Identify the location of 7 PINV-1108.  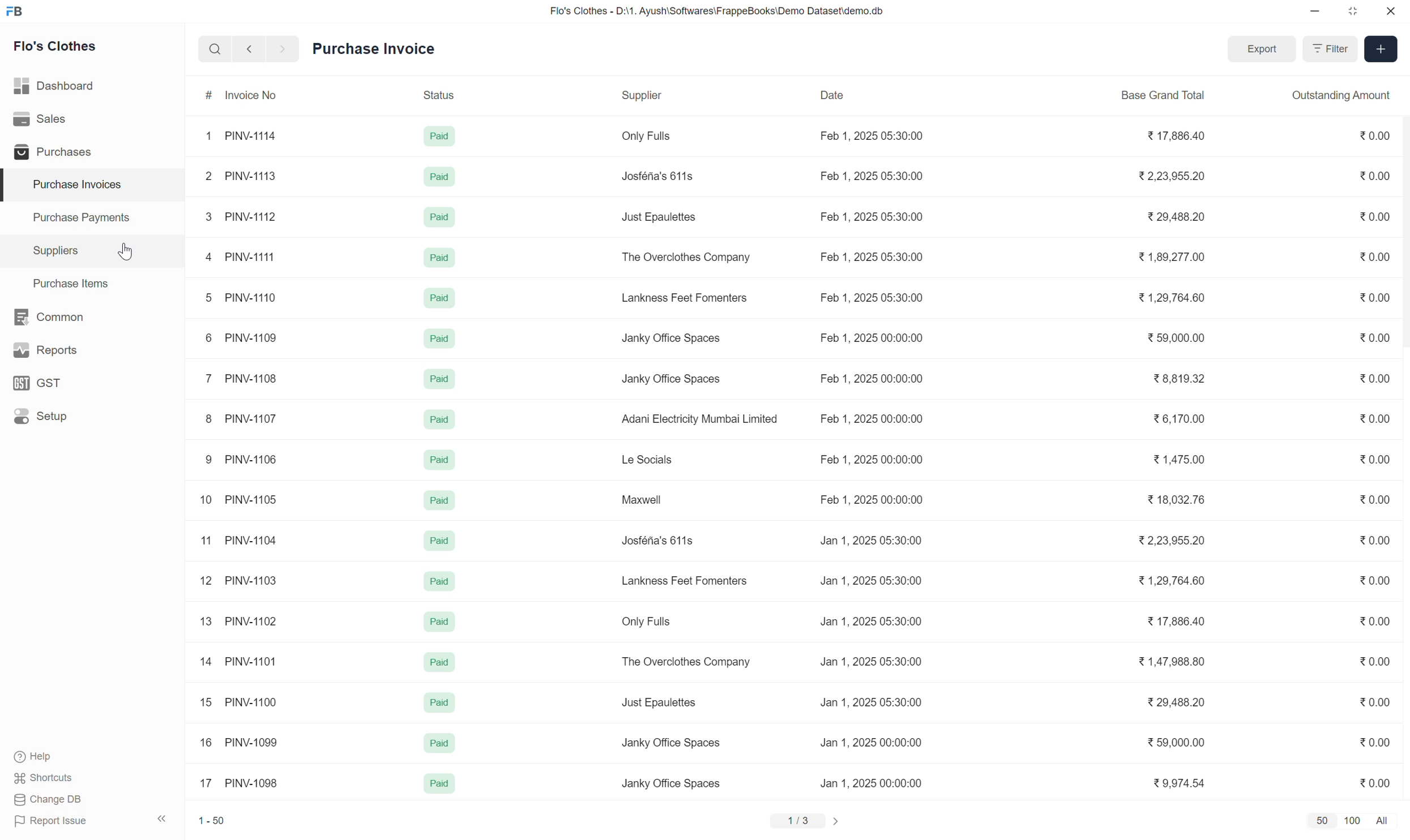
(241, 379).